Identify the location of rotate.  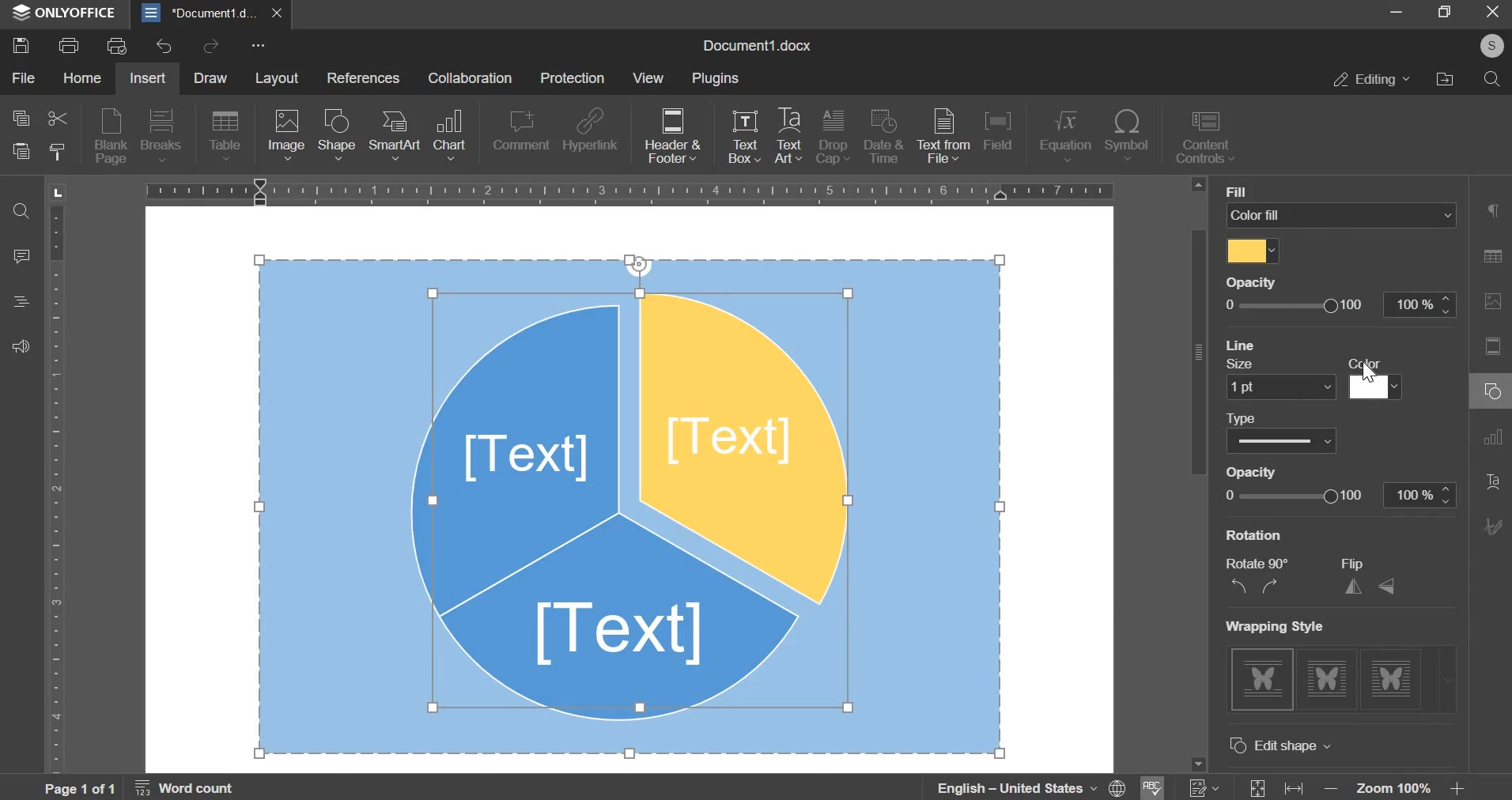
(1253, 586).